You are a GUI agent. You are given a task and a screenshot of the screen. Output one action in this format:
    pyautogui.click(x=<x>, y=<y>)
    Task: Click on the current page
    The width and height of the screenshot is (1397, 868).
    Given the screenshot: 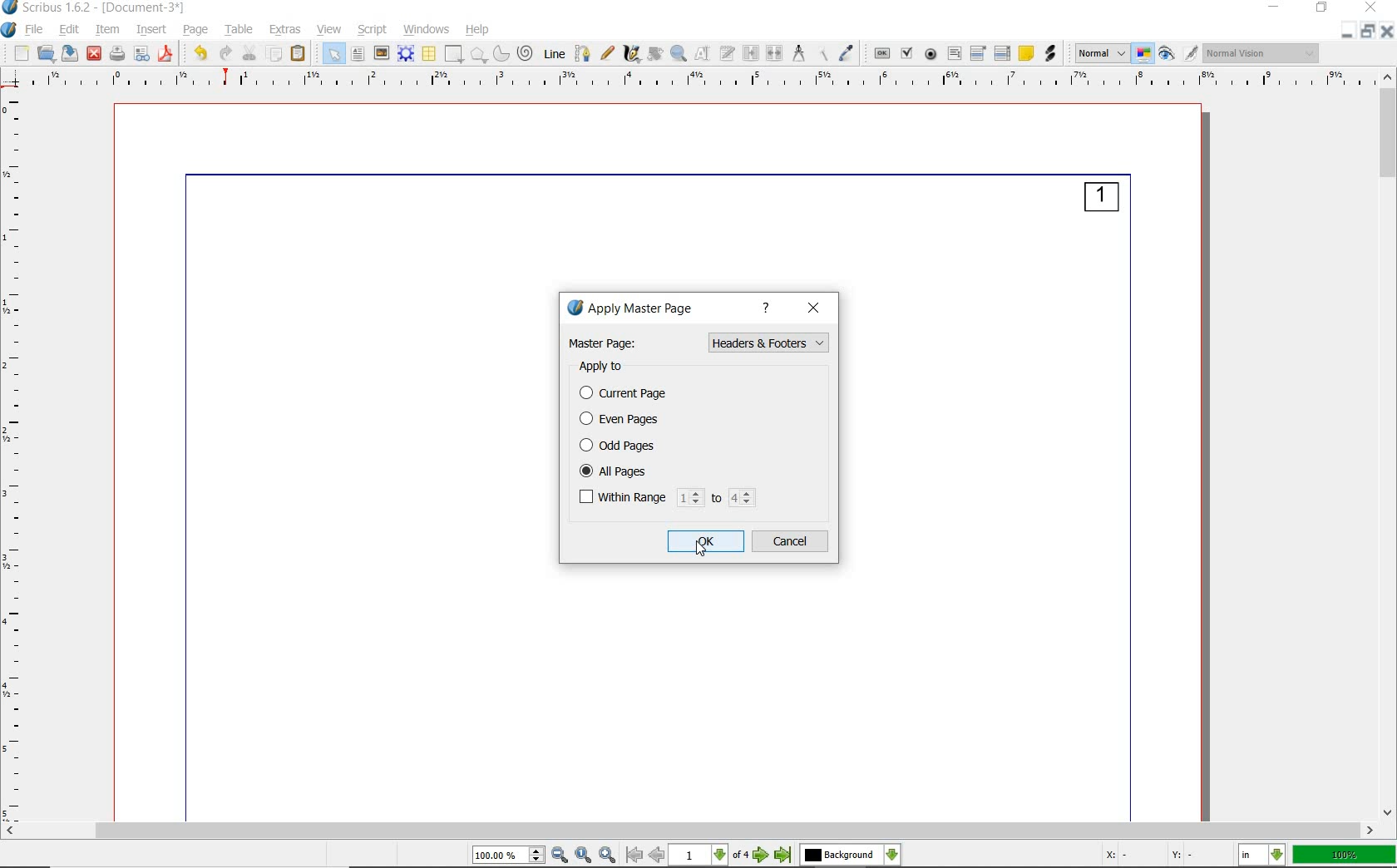 What is the action you would take?
    pyautogui.click(x=627, y=394)
    